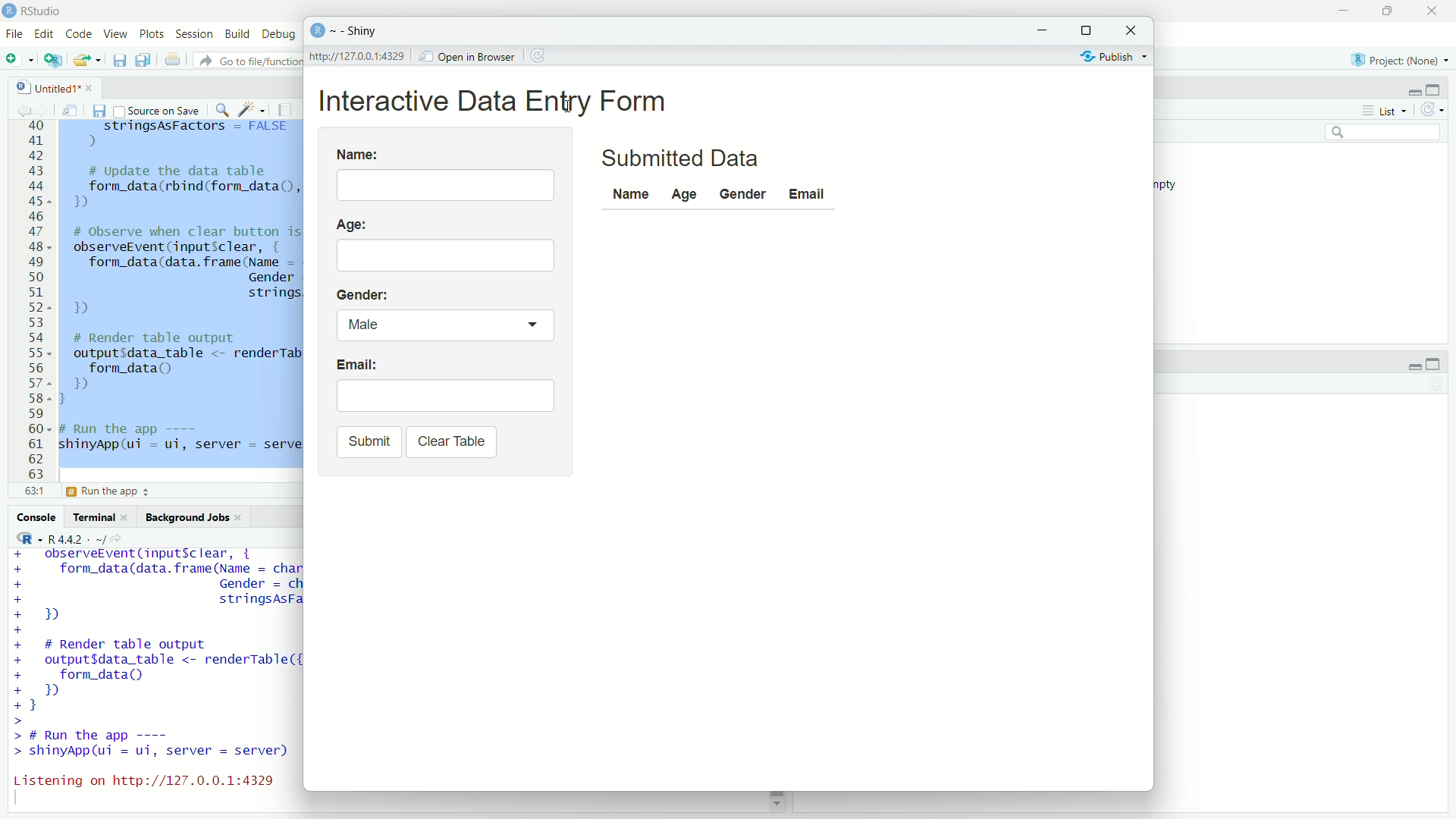 This screenshot has height=819, width=1456. I want to click on view the current working directory, so click(121, 538).